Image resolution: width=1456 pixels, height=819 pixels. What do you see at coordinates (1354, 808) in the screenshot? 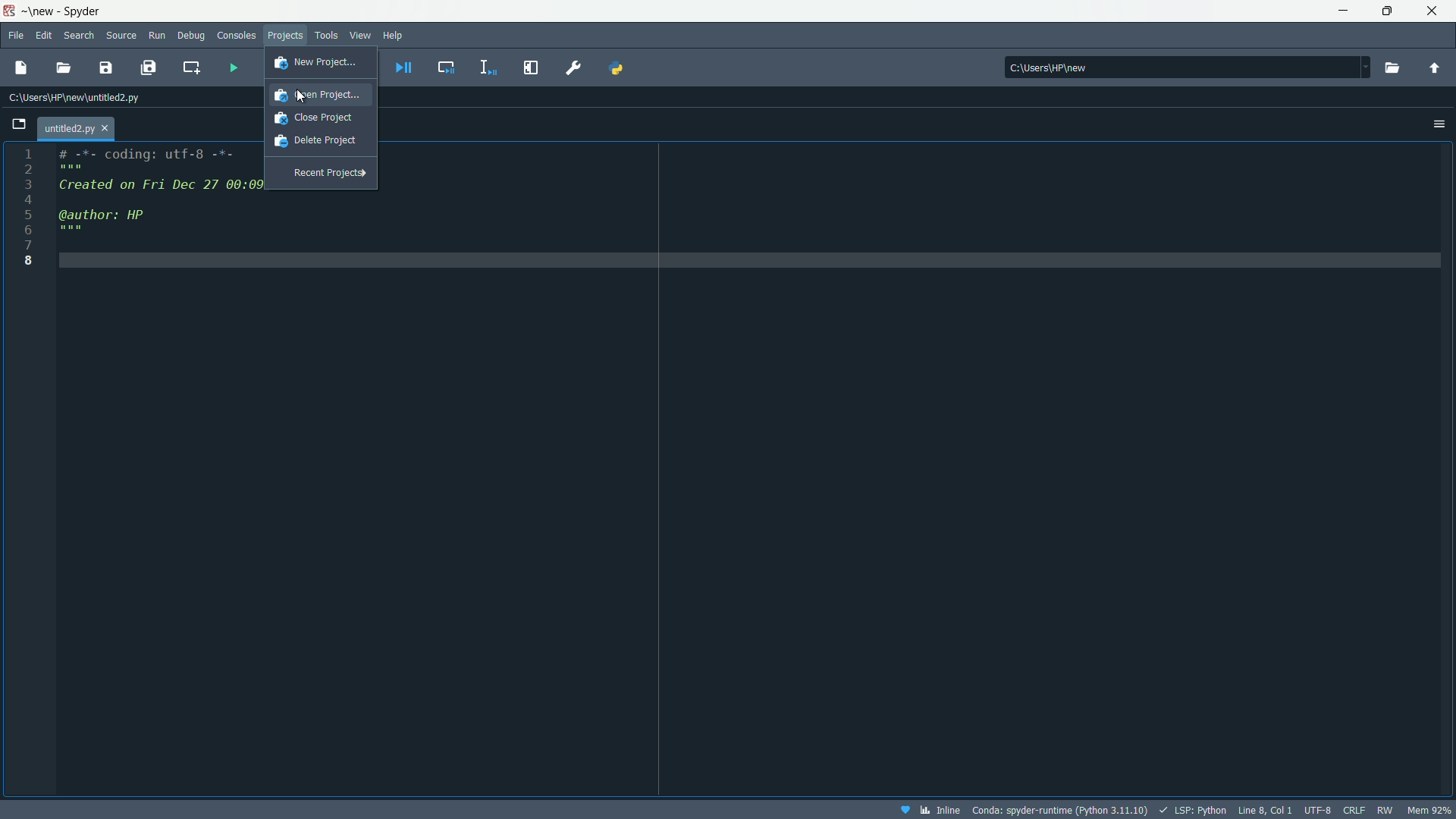
I see `file eol status` at bounding box center [1354, 808].